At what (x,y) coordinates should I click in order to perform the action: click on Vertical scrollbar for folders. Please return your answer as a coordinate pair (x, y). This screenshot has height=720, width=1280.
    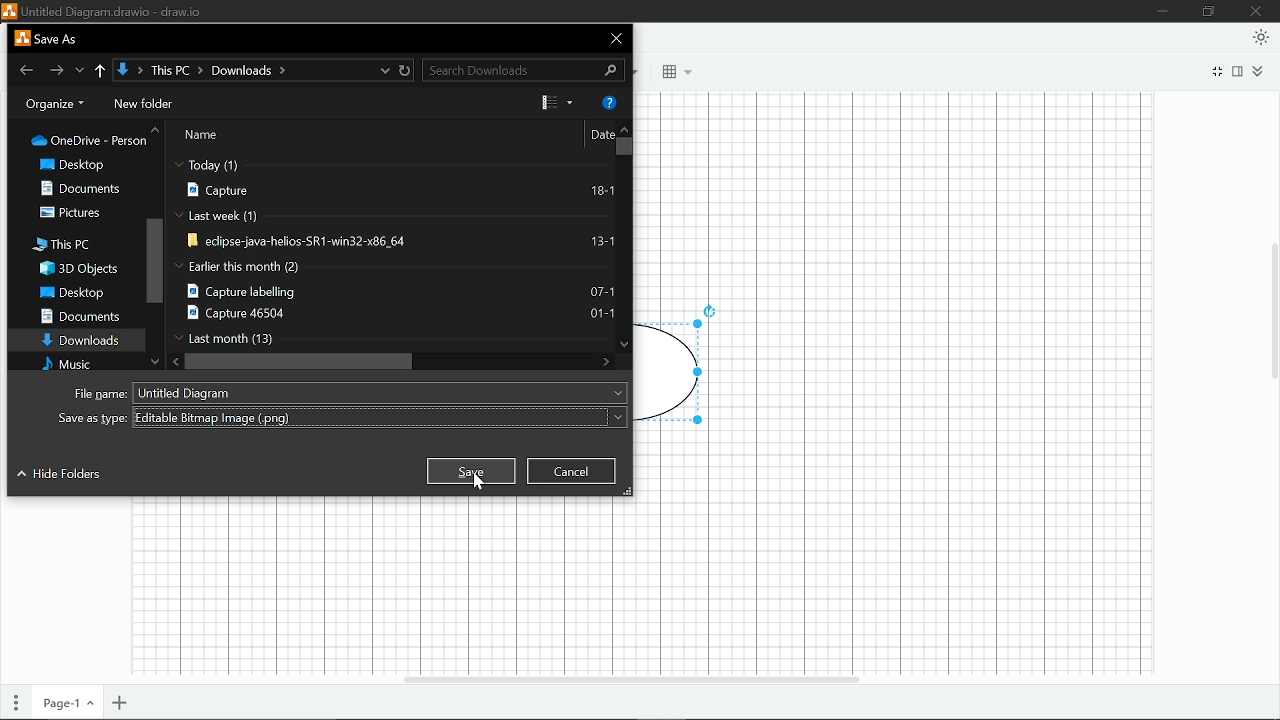
    Looking at the image, I should click on (154, 260).